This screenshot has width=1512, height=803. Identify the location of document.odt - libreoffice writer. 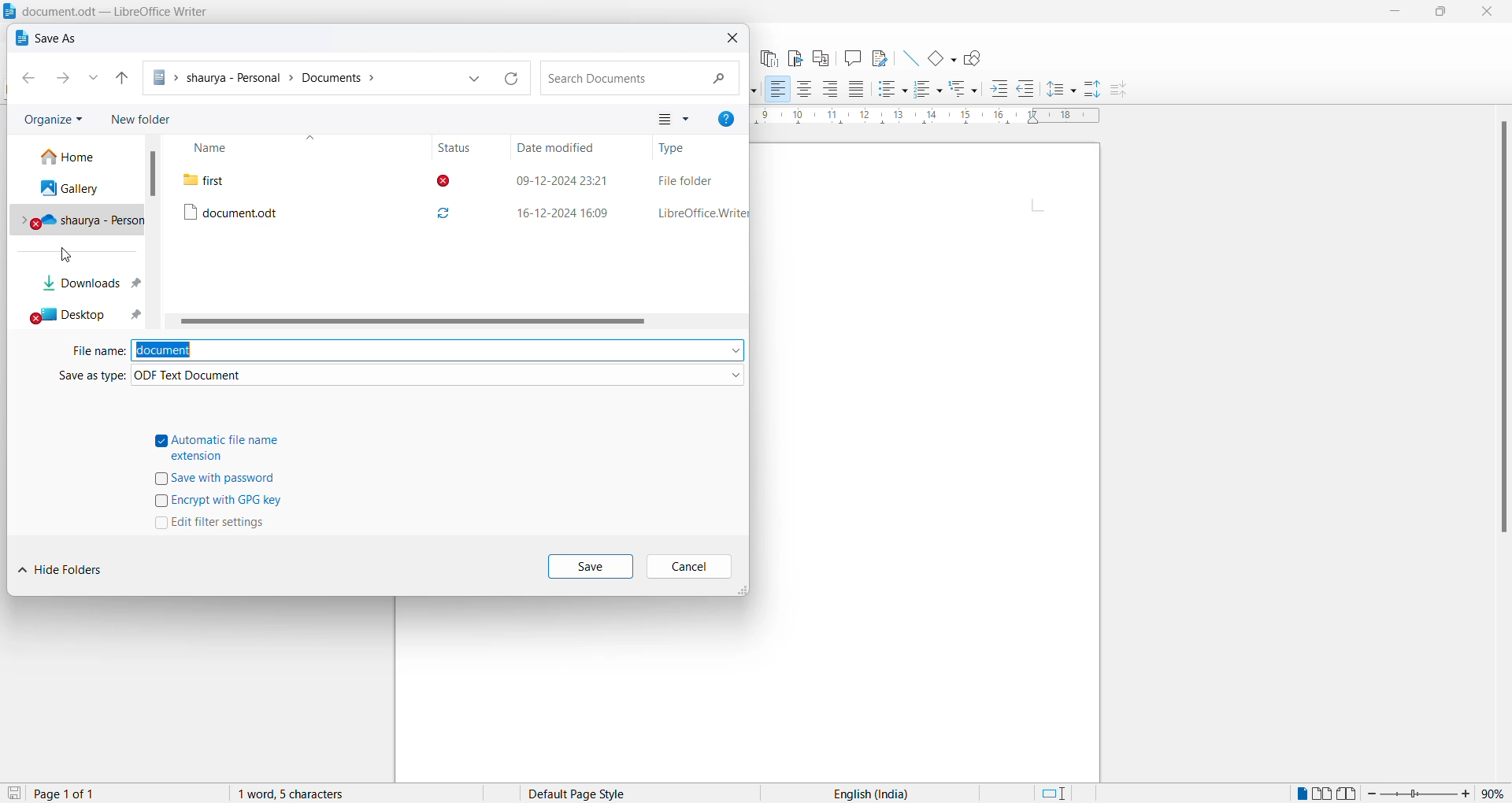
(108, 11).